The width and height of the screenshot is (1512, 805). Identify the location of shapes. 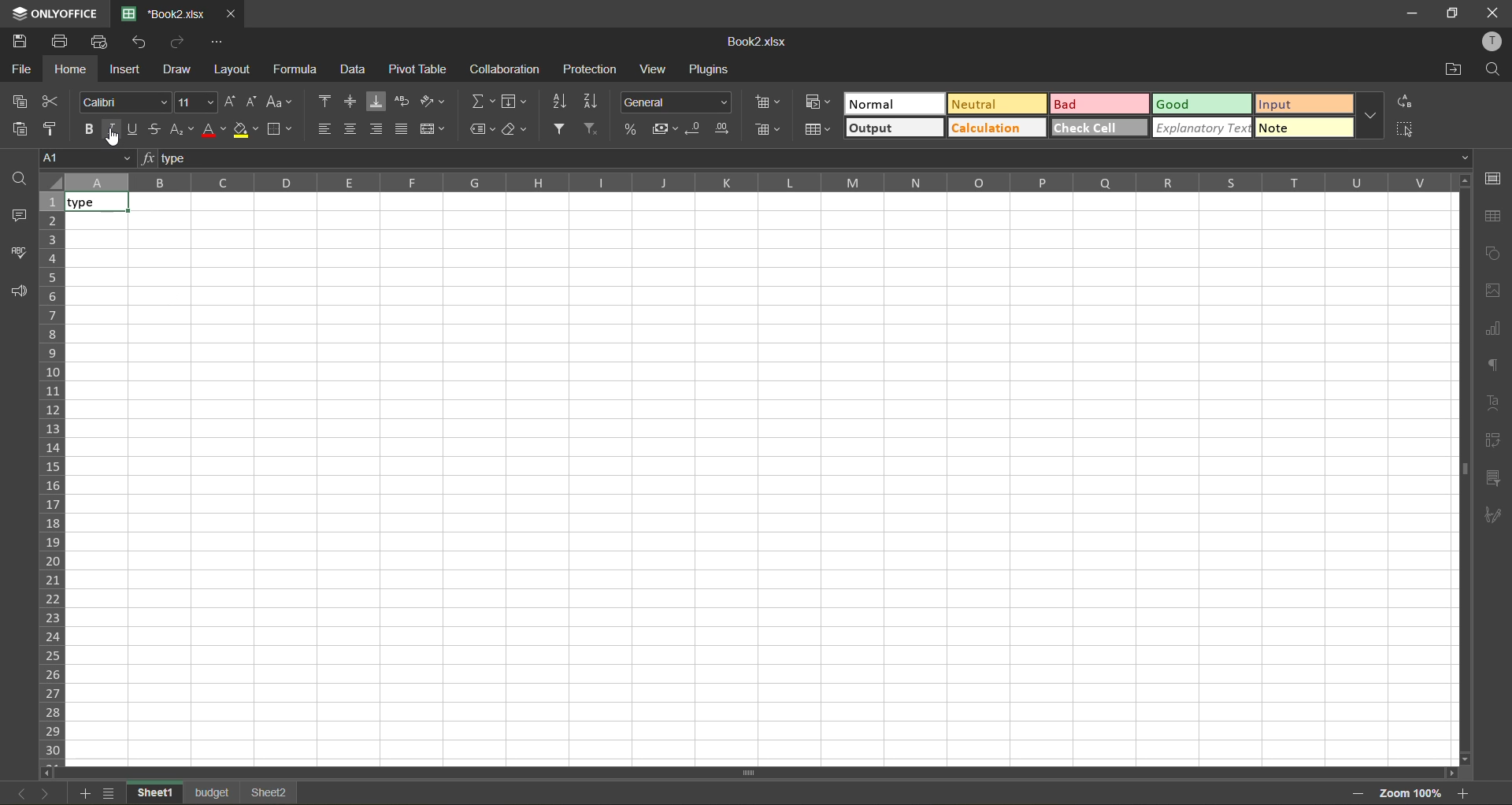
(1495, 257).